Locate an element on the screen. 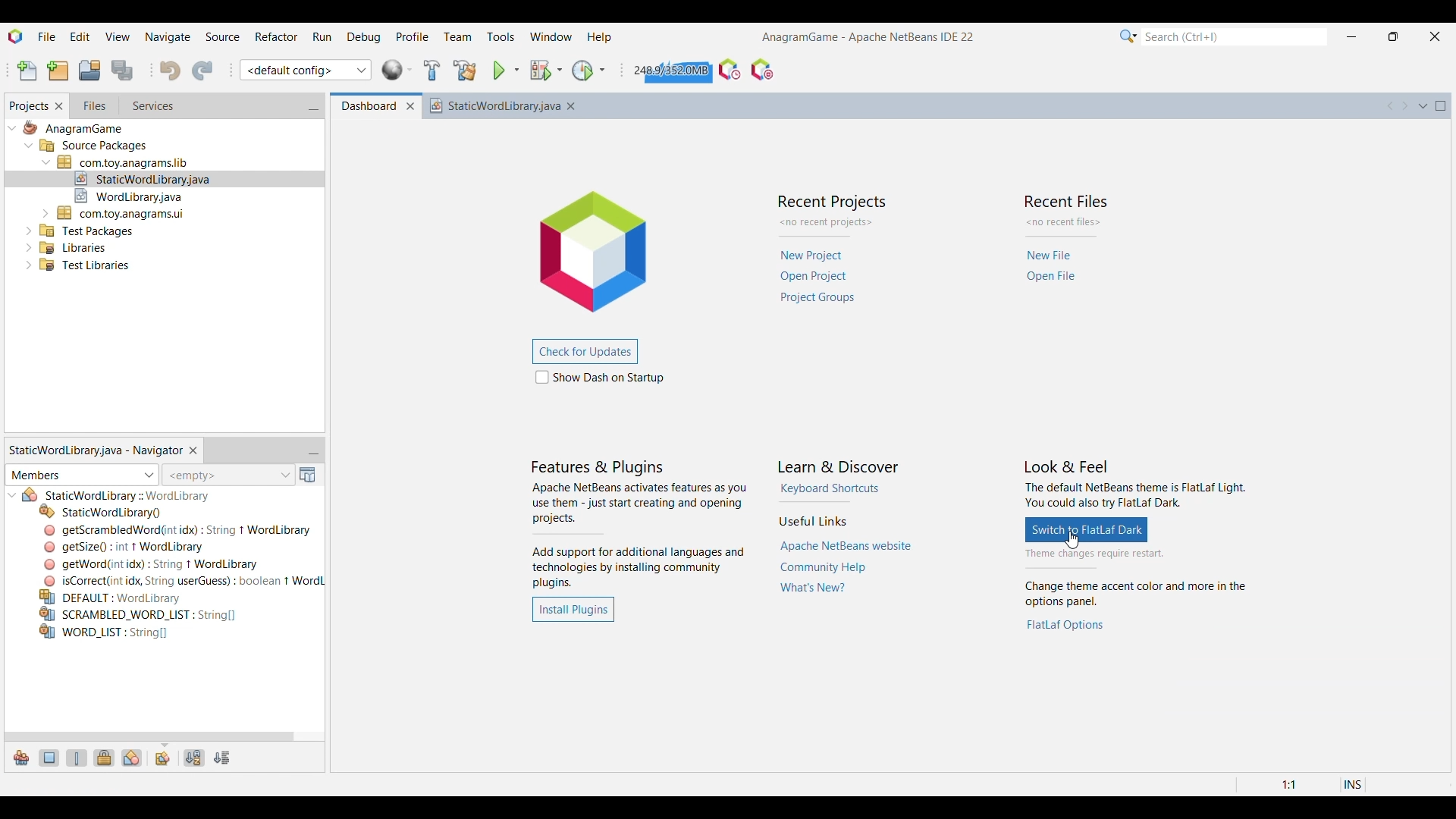  View menu is located at coordinates (118, 36).